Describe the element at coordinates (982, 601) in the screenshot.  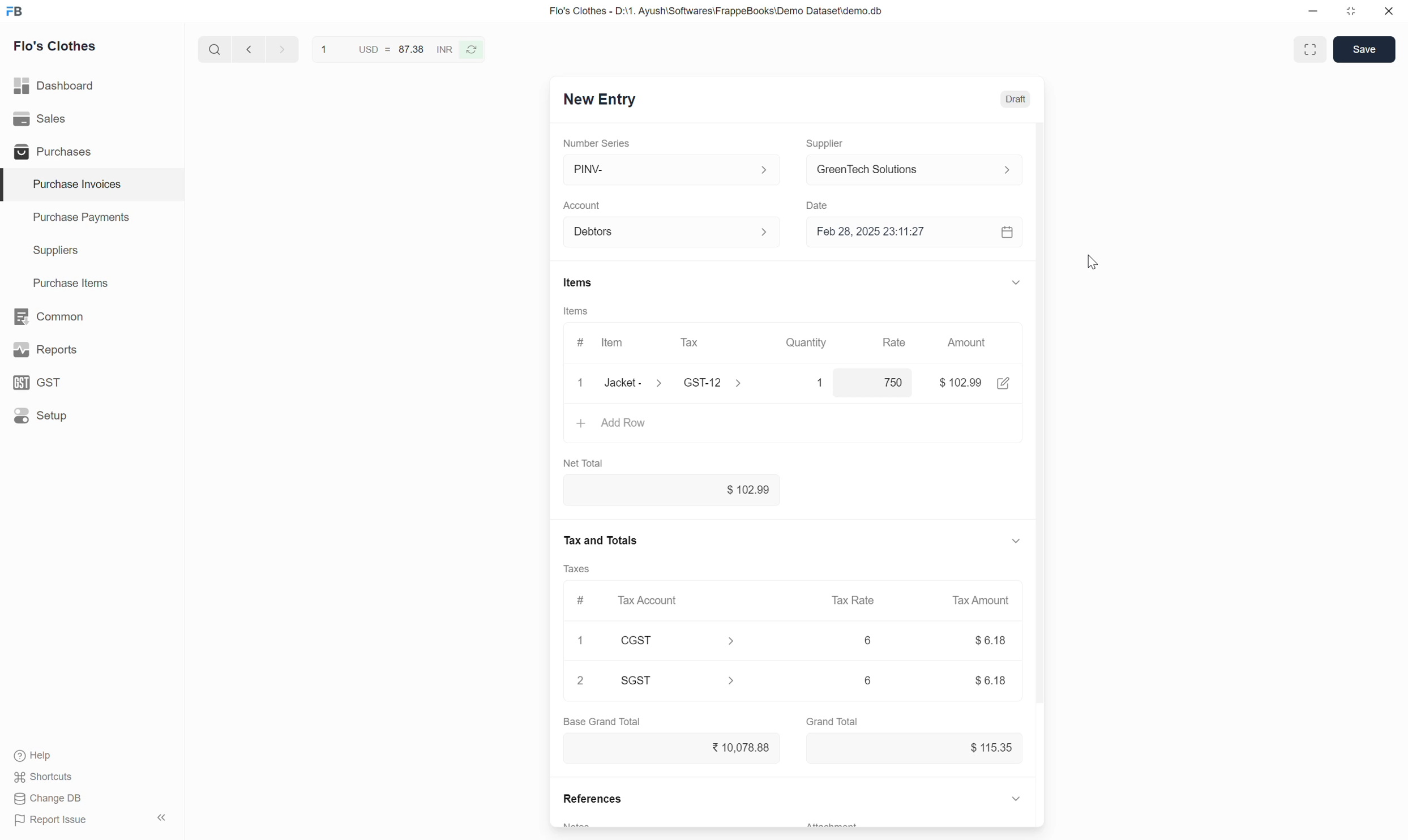
I see `Tax Amount` at that location.